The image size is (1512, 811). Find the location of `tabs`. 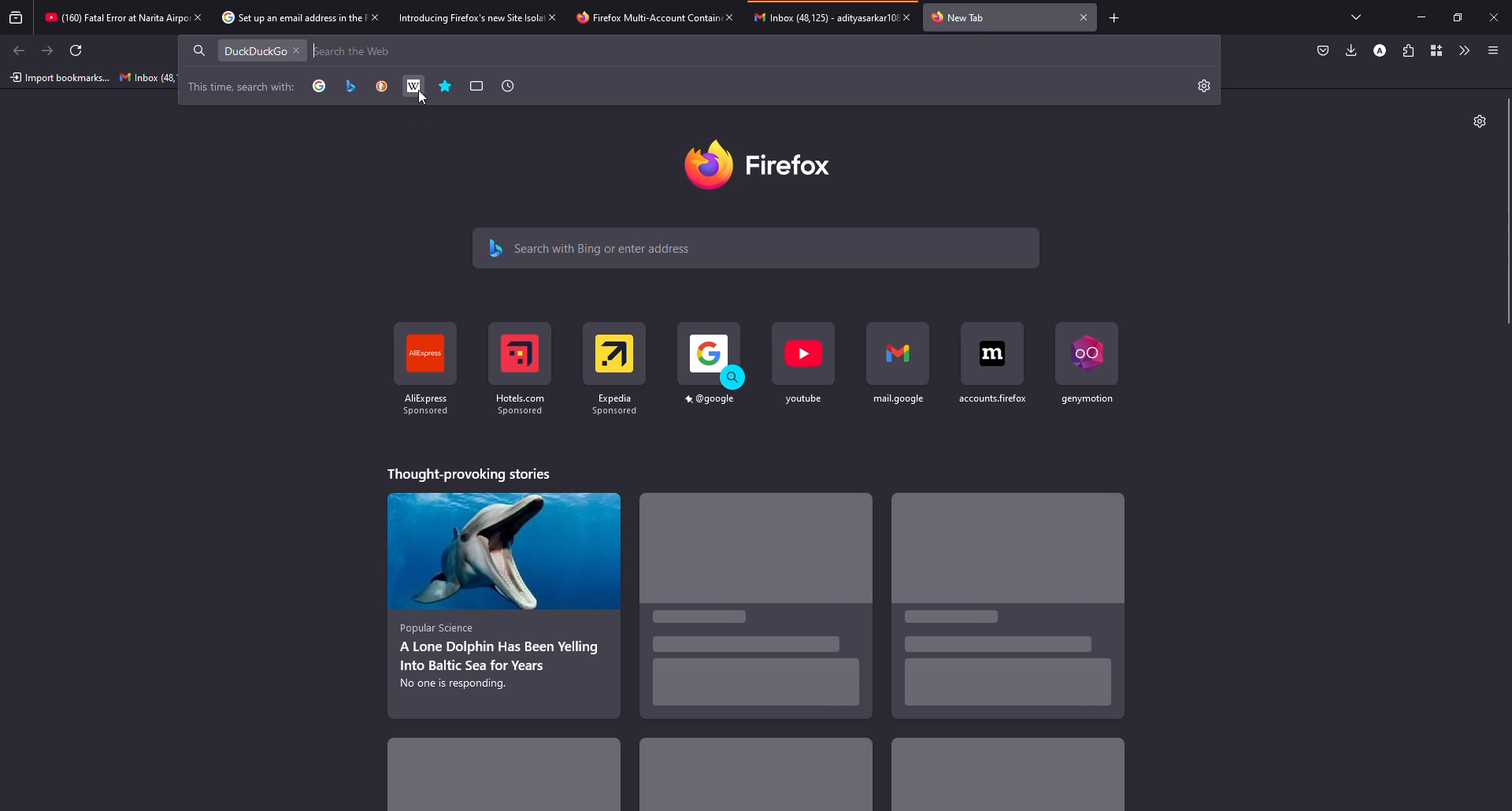

tabs is located at coordinates (477, 86).